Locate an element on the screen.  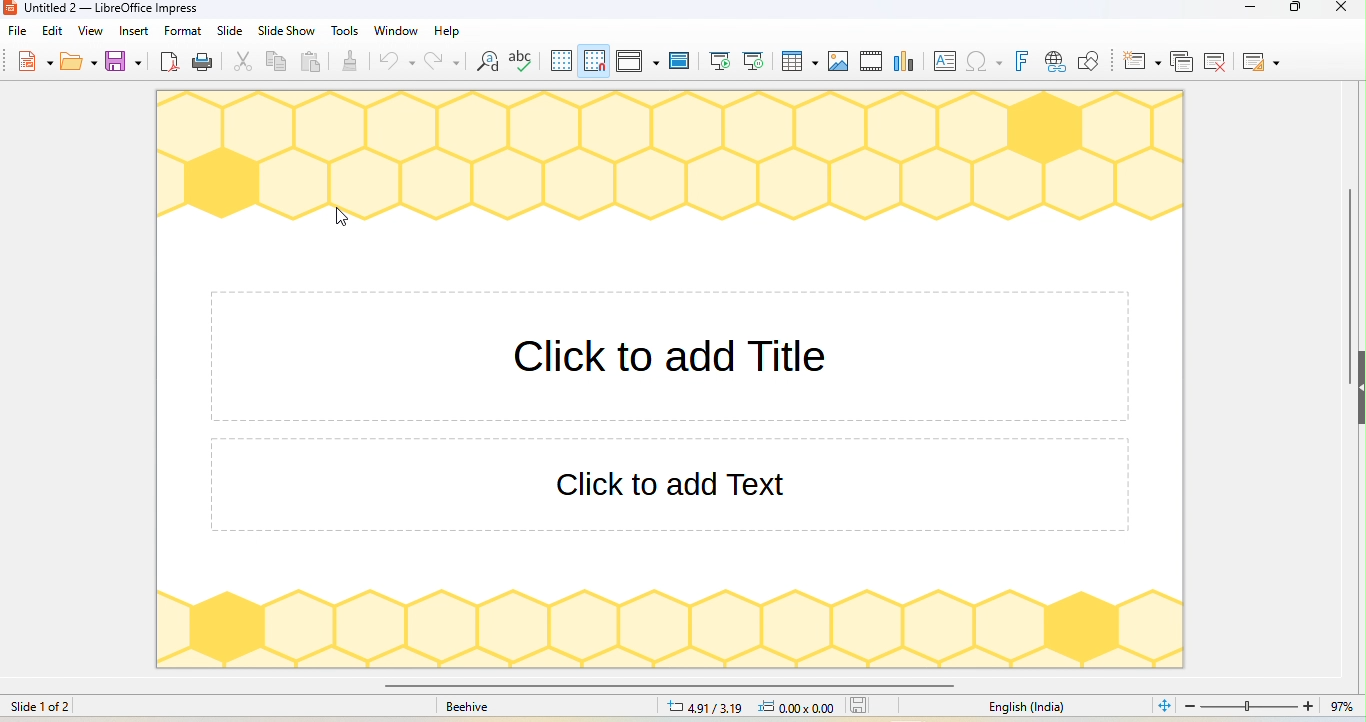
slide is located at coordinates (231, 31).